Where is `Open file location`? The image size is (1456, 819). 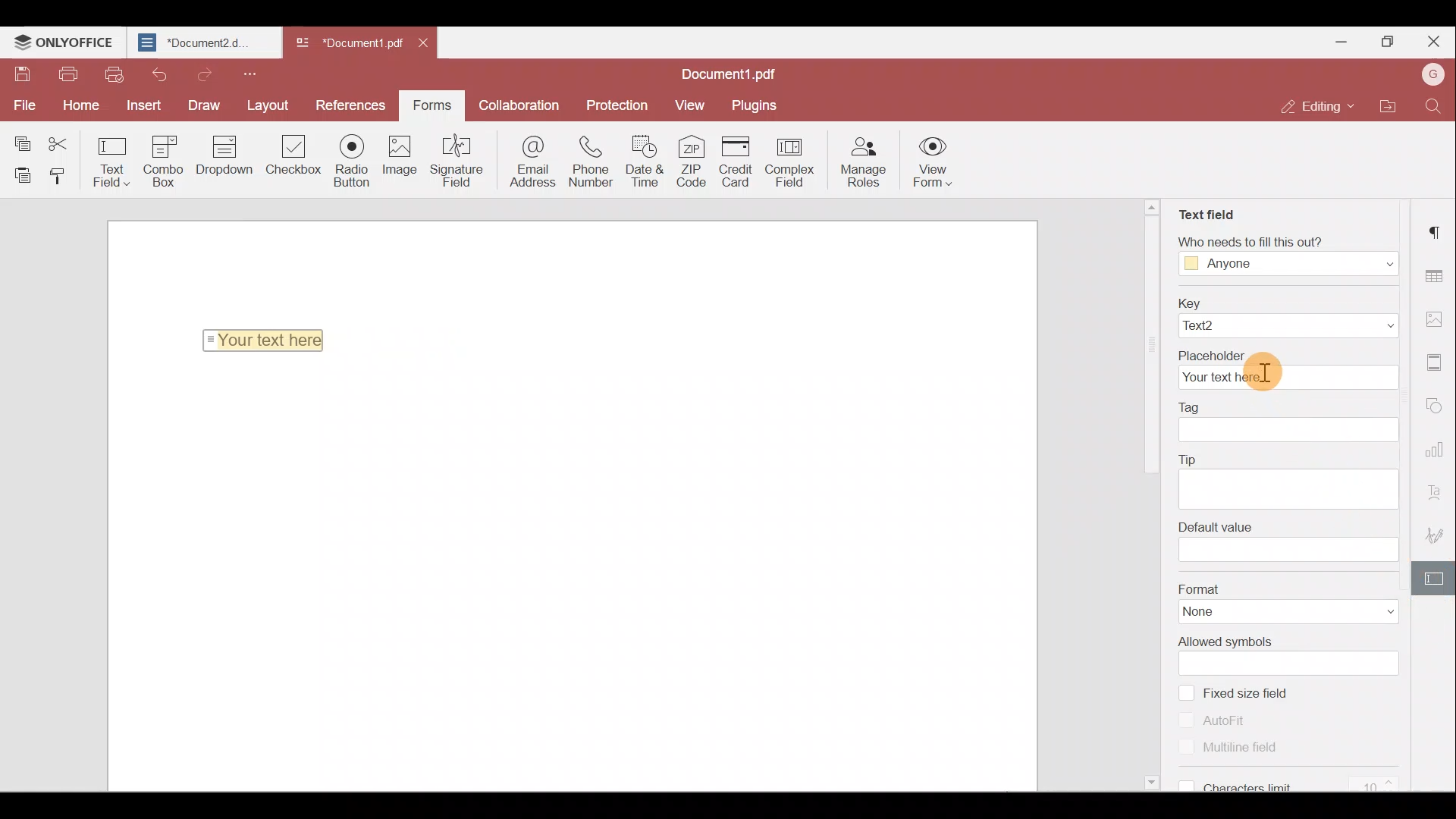
Open file location is located at coordinates (1383, 105).